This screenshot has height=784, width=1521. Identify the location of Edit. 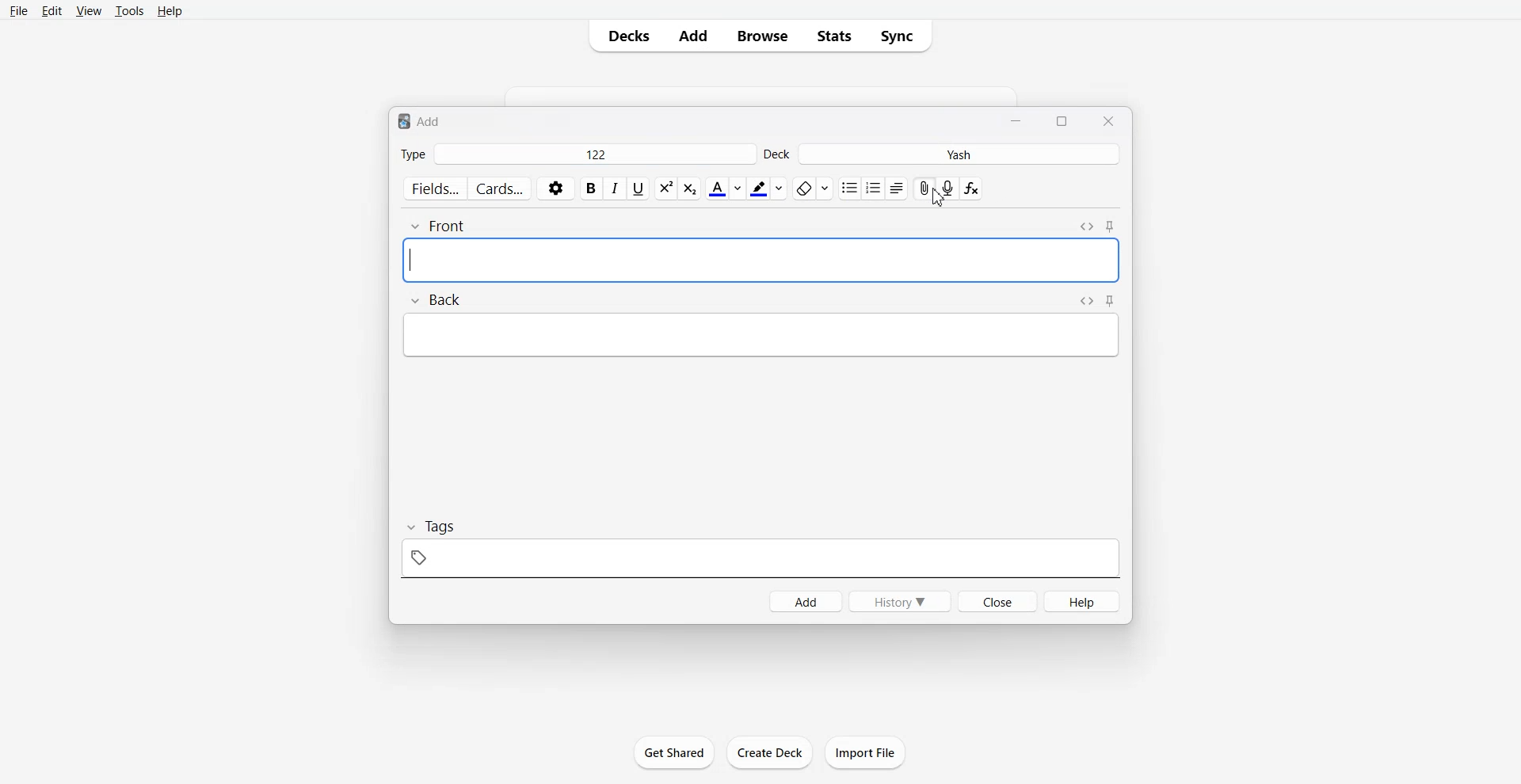
(52, 11).